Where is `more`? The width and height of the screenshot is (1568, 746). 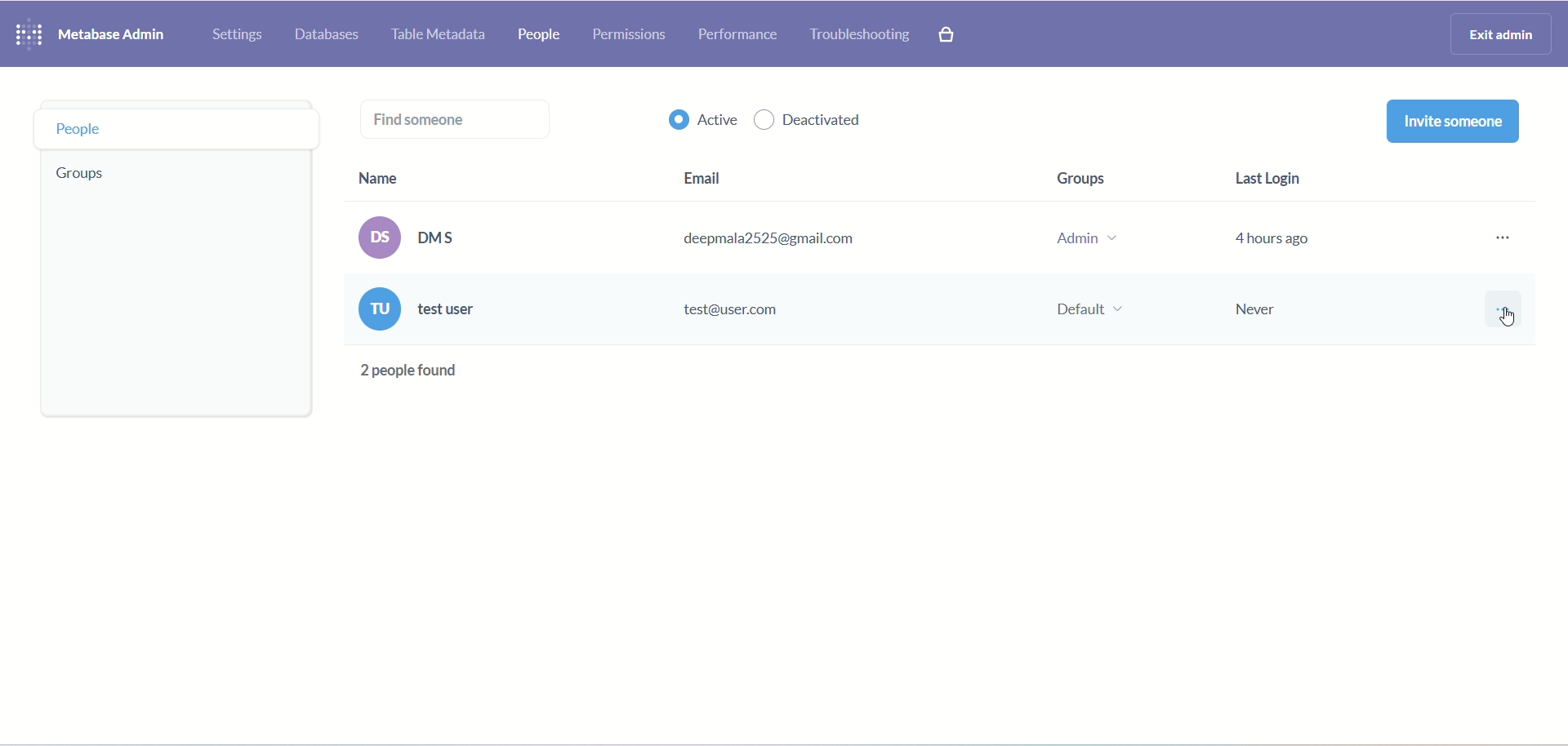 more is located at coordinates (1507, 280).